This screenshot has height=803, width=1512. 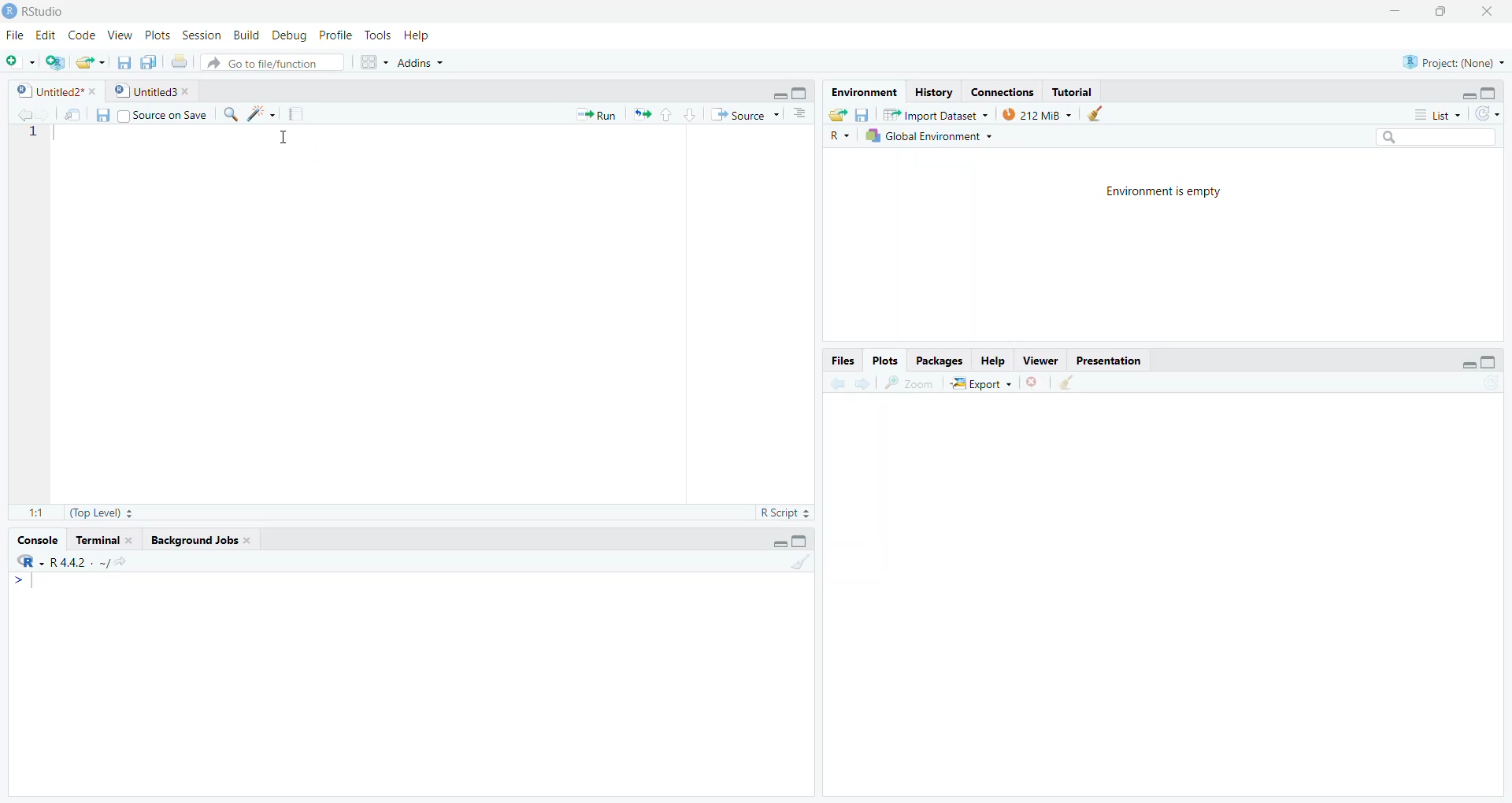 I want to click on terminal, so click(x=104, y=541).